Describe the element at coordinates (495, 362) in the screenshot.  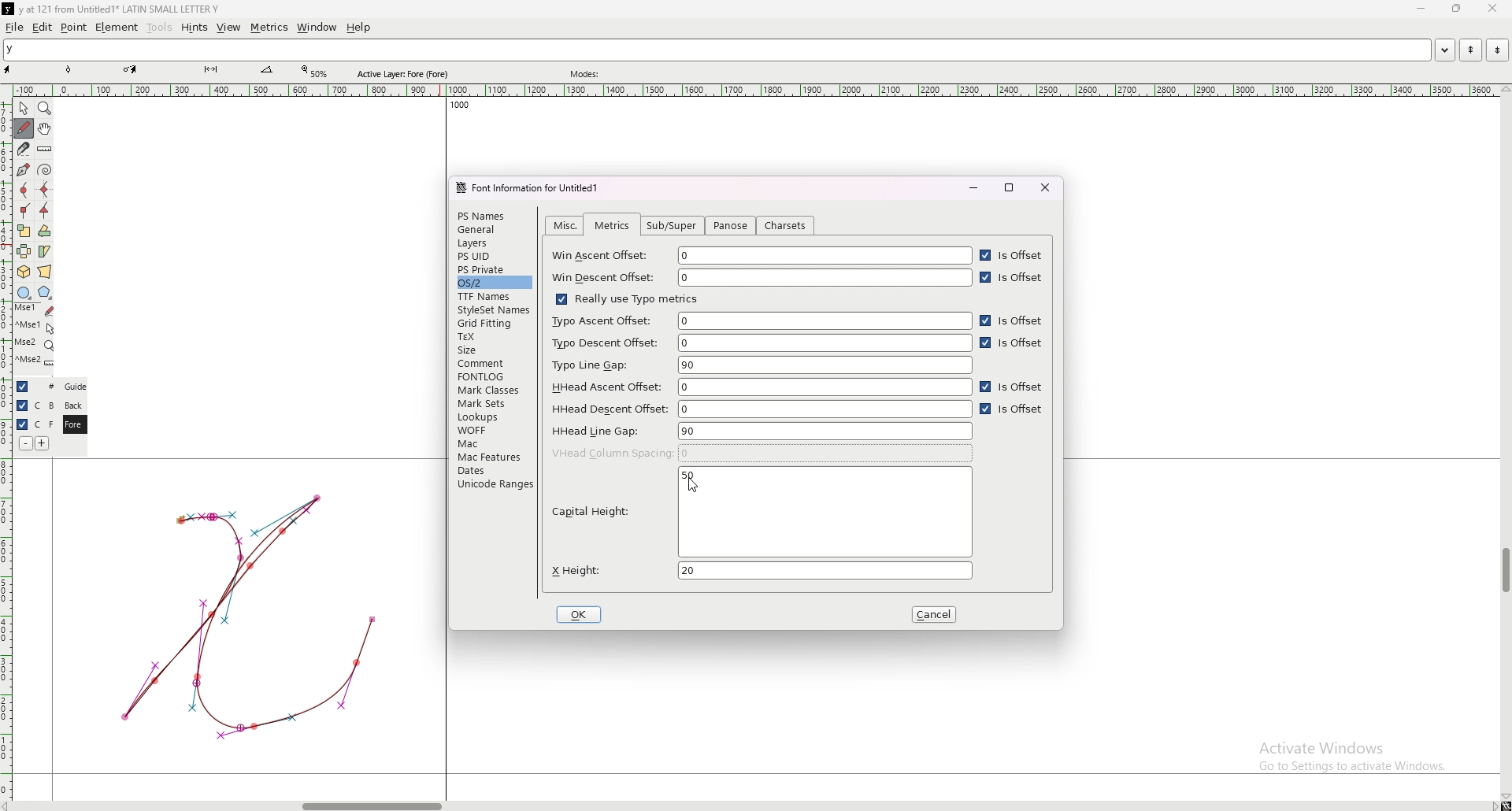
I see `comment` at that location.